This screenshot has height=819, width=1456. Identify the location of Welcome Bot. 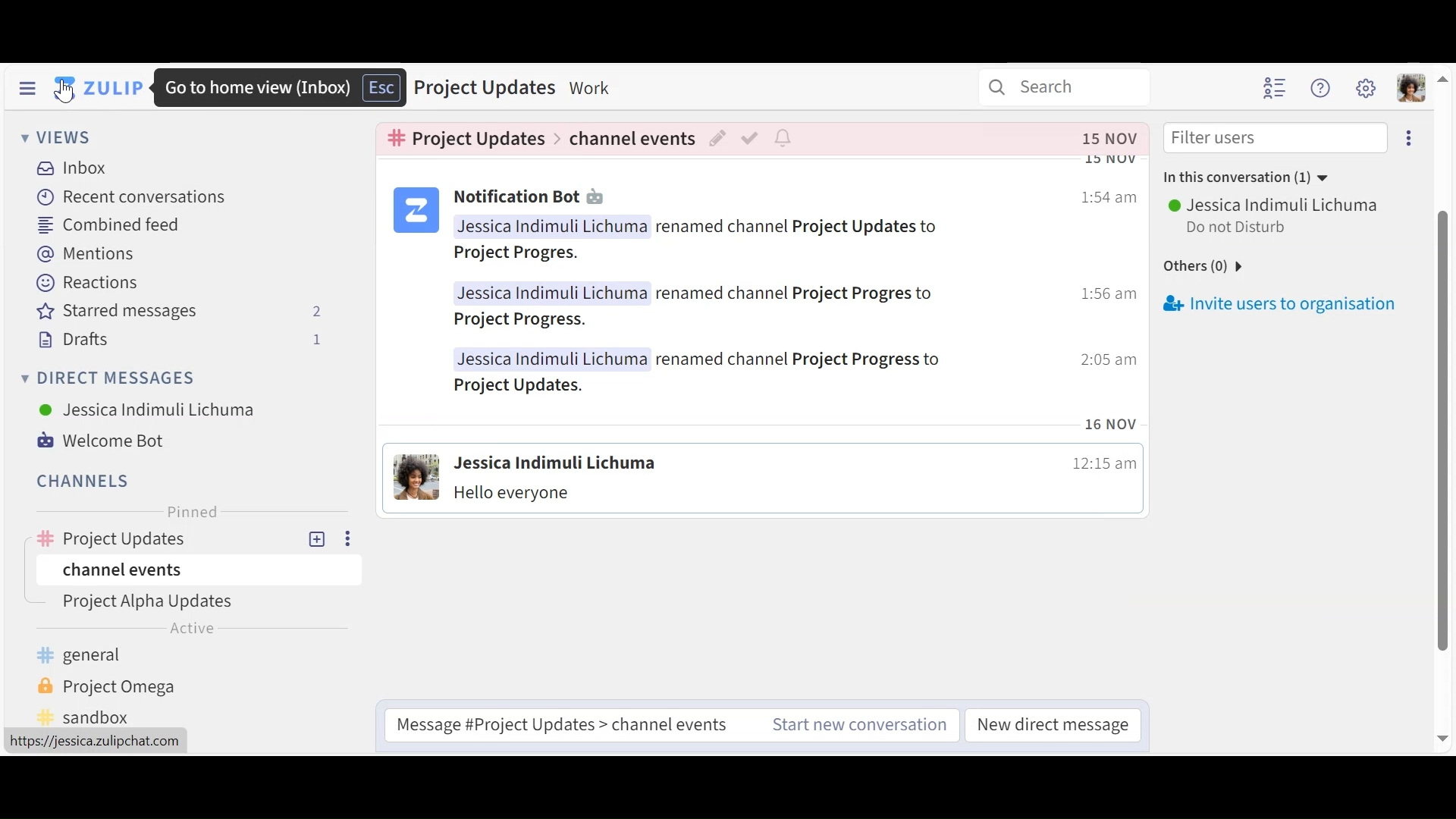
(104, 441).